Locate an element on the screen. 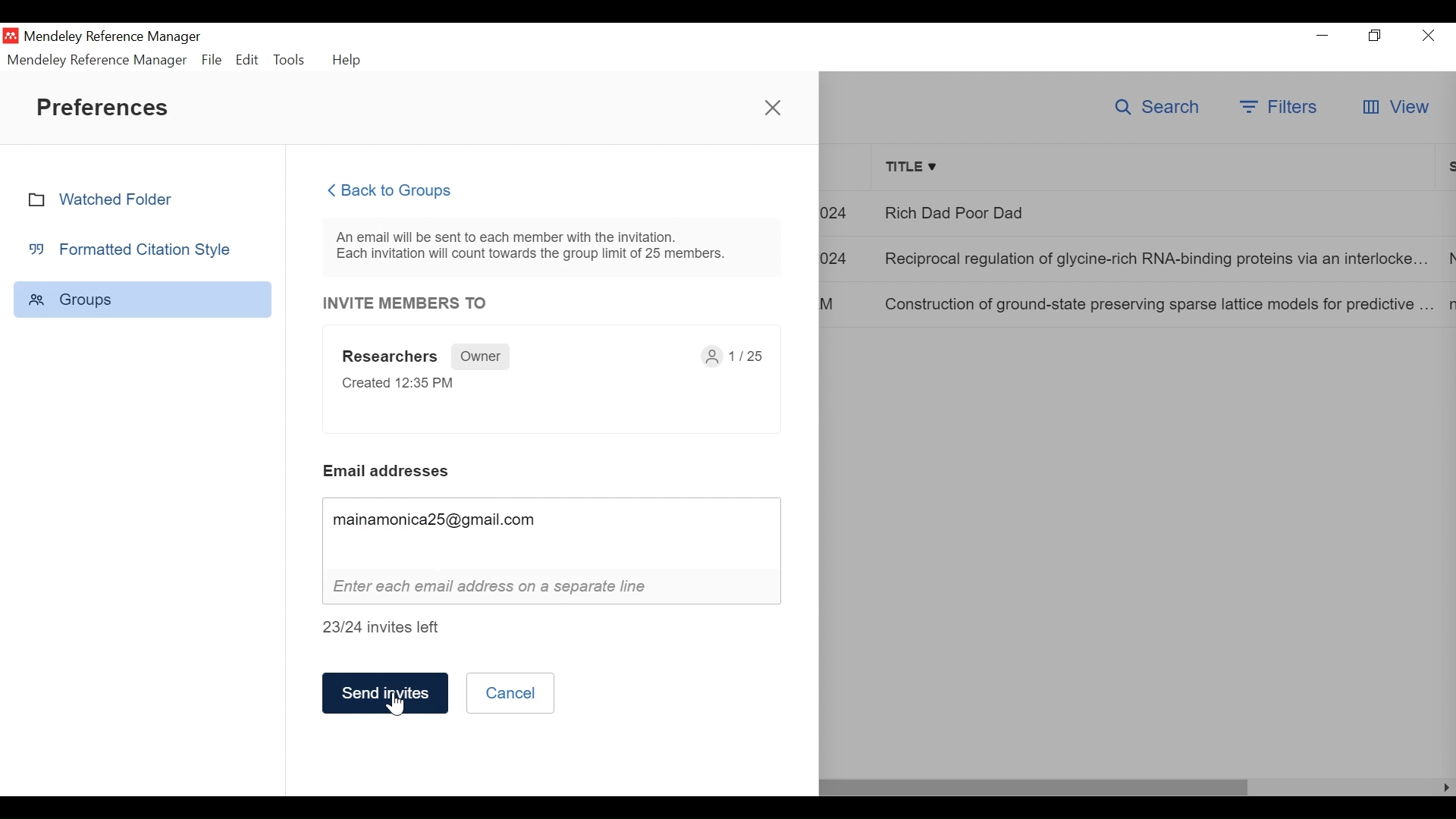  Help is located at coordinates (349, 60).